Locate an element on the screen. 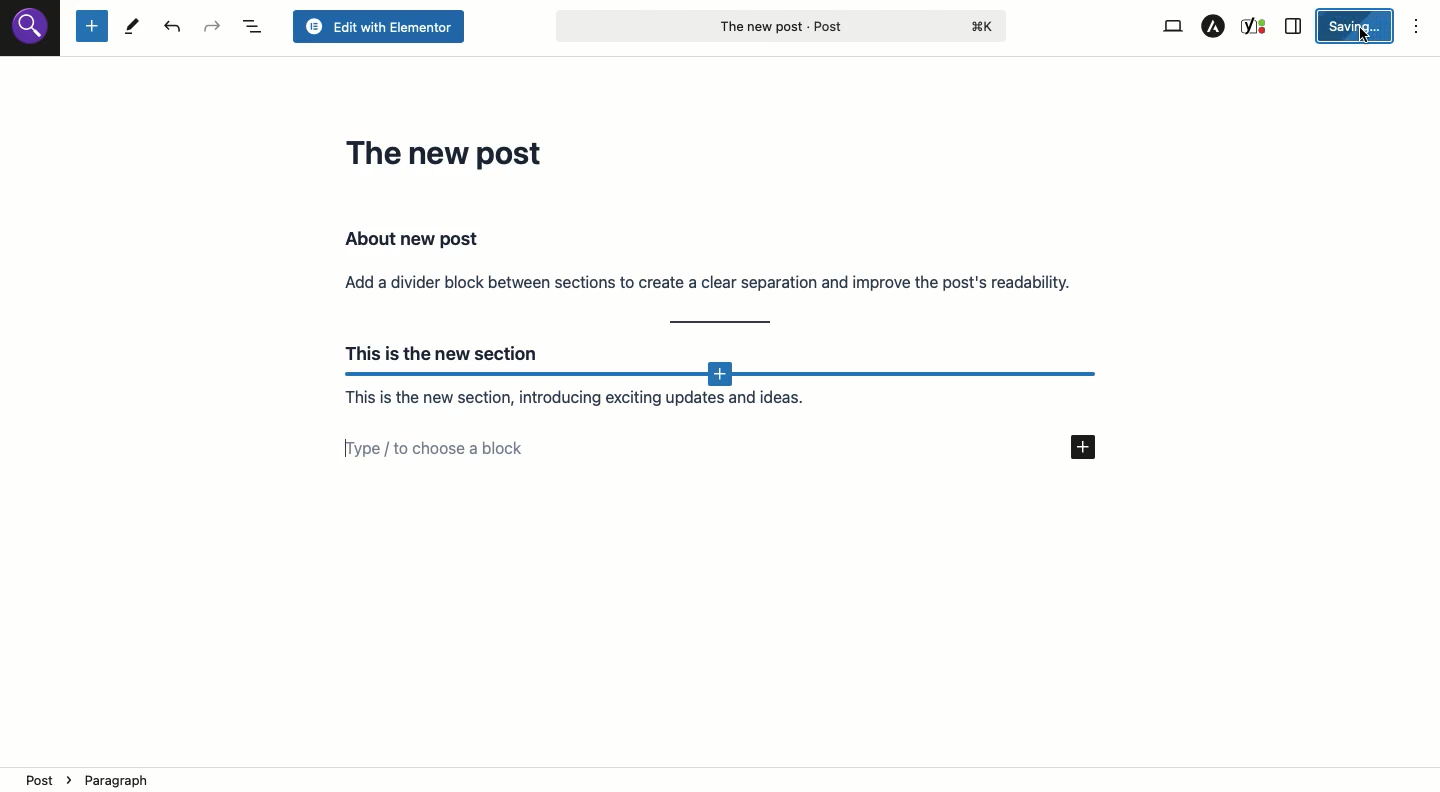 This screenshot has width=1440, height=792. Site icon is located at coordinates (31, 29).